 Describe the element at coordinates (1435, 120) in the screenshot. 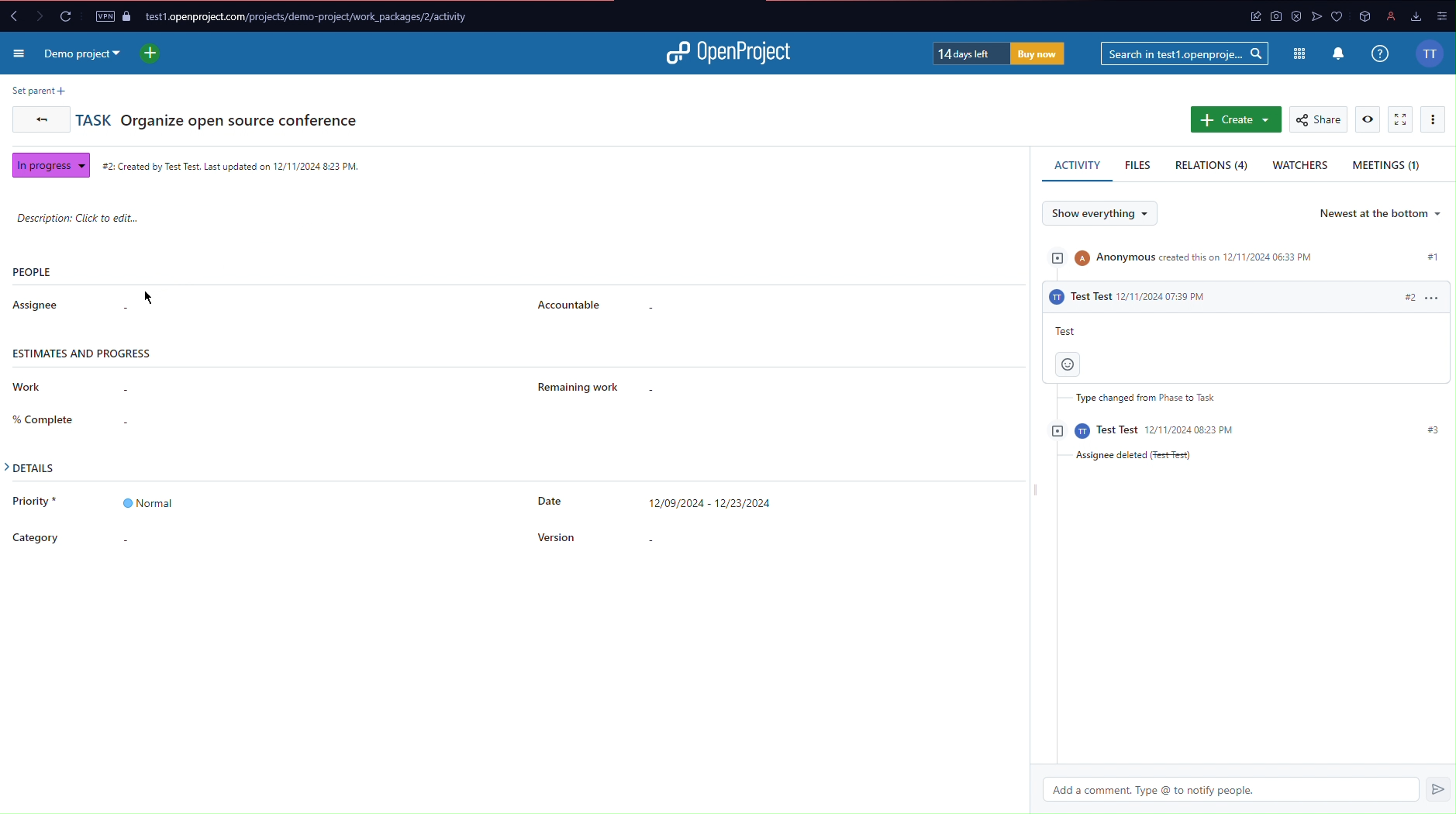

I see `More Options` at that location.